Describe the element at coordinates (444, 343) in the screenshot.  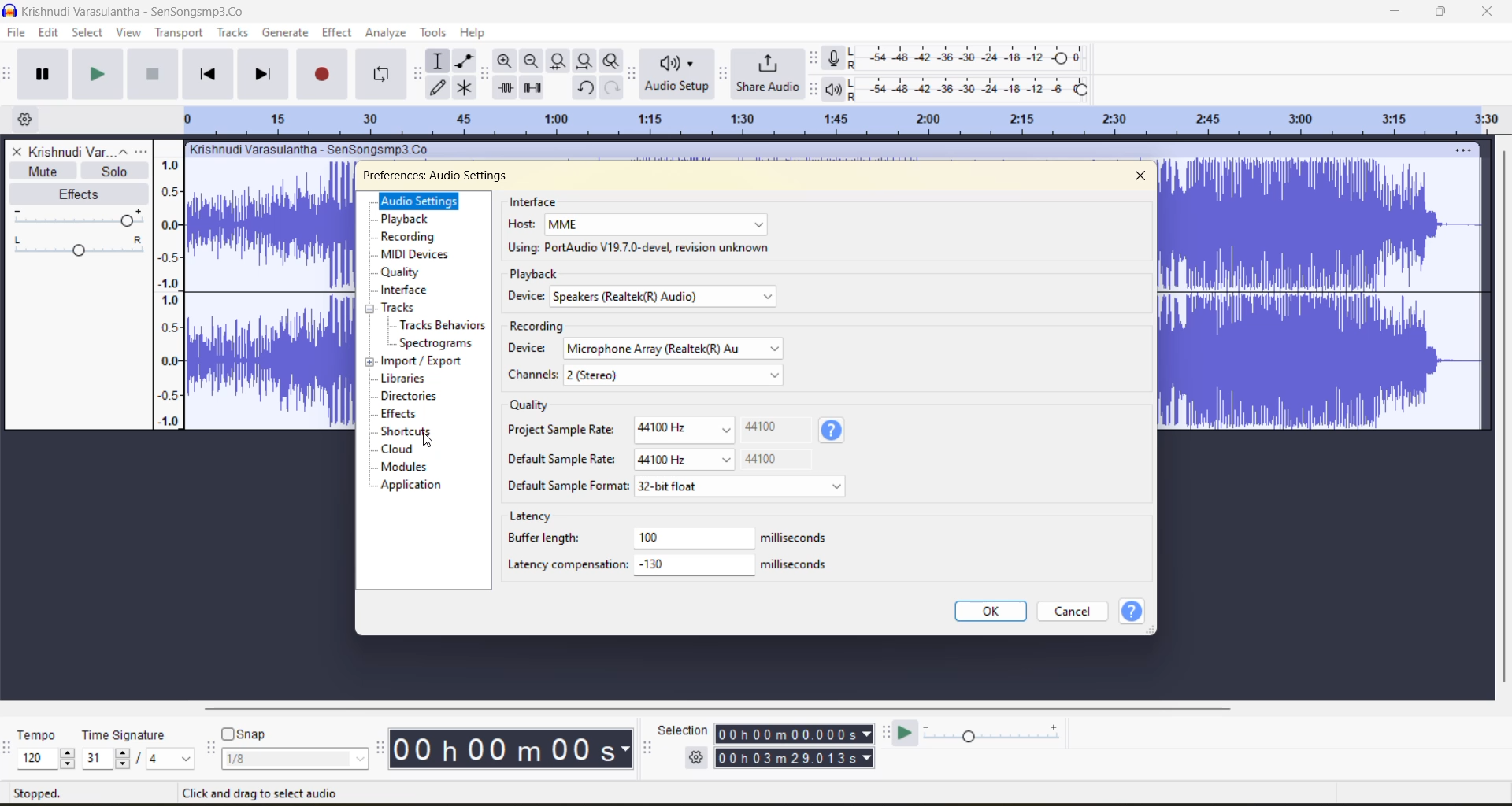
I see `spectrograms` at that location.